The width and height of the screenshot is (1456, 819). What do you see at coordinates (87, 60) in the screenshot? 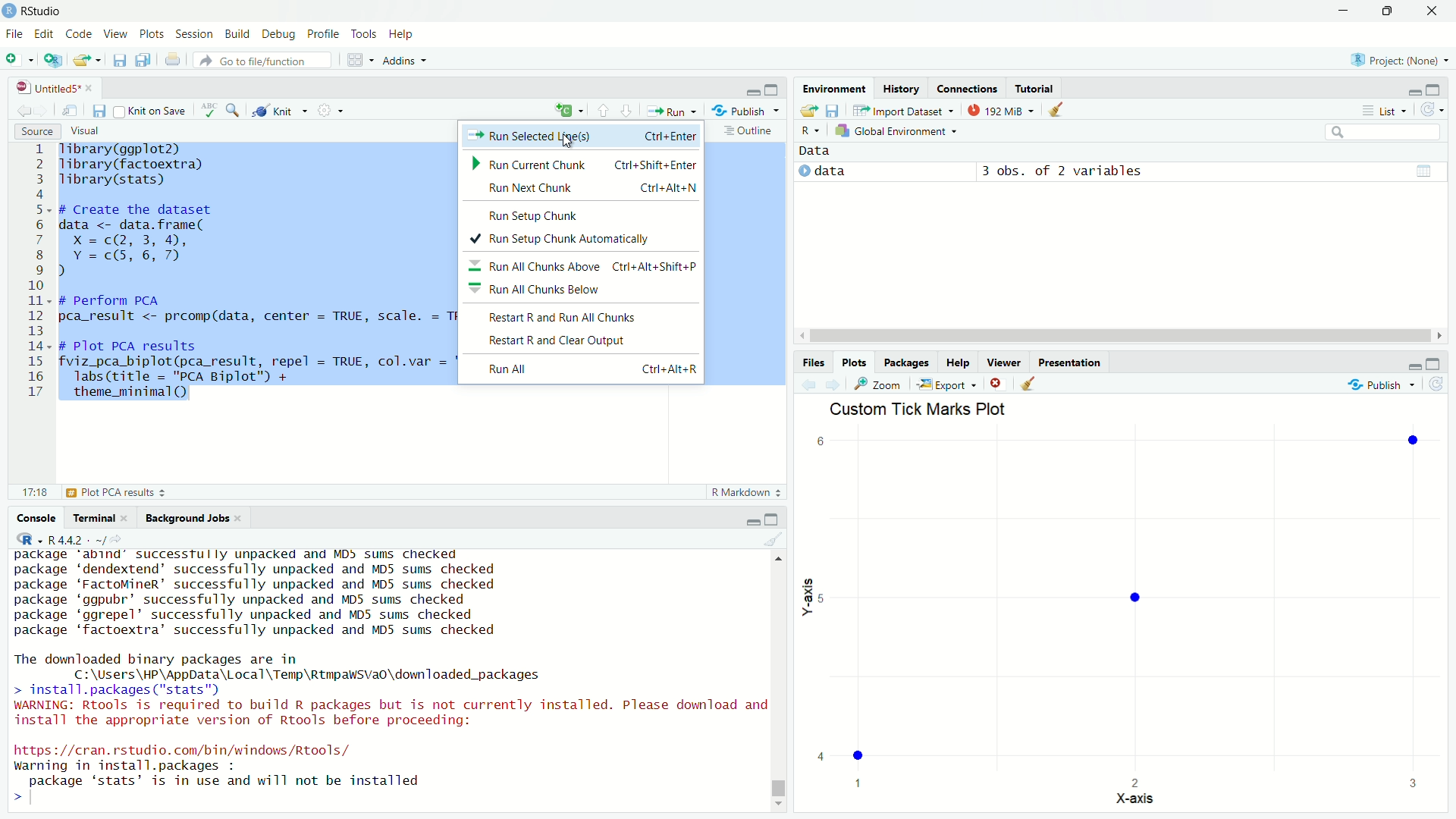
I see `open an existing file` at bounding box center [87, 60].